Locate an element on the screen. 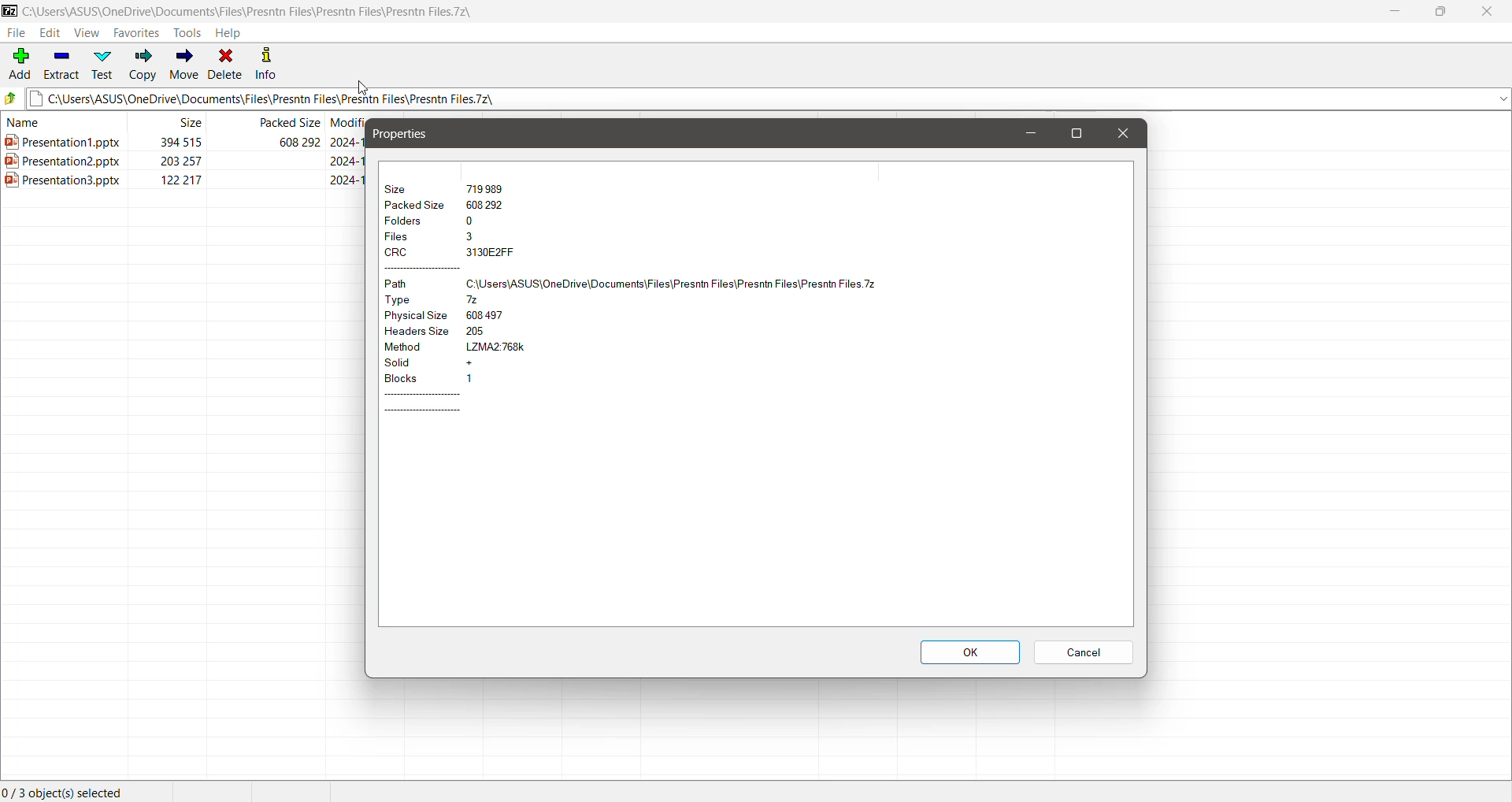  View is located at coordinates (87, 33).